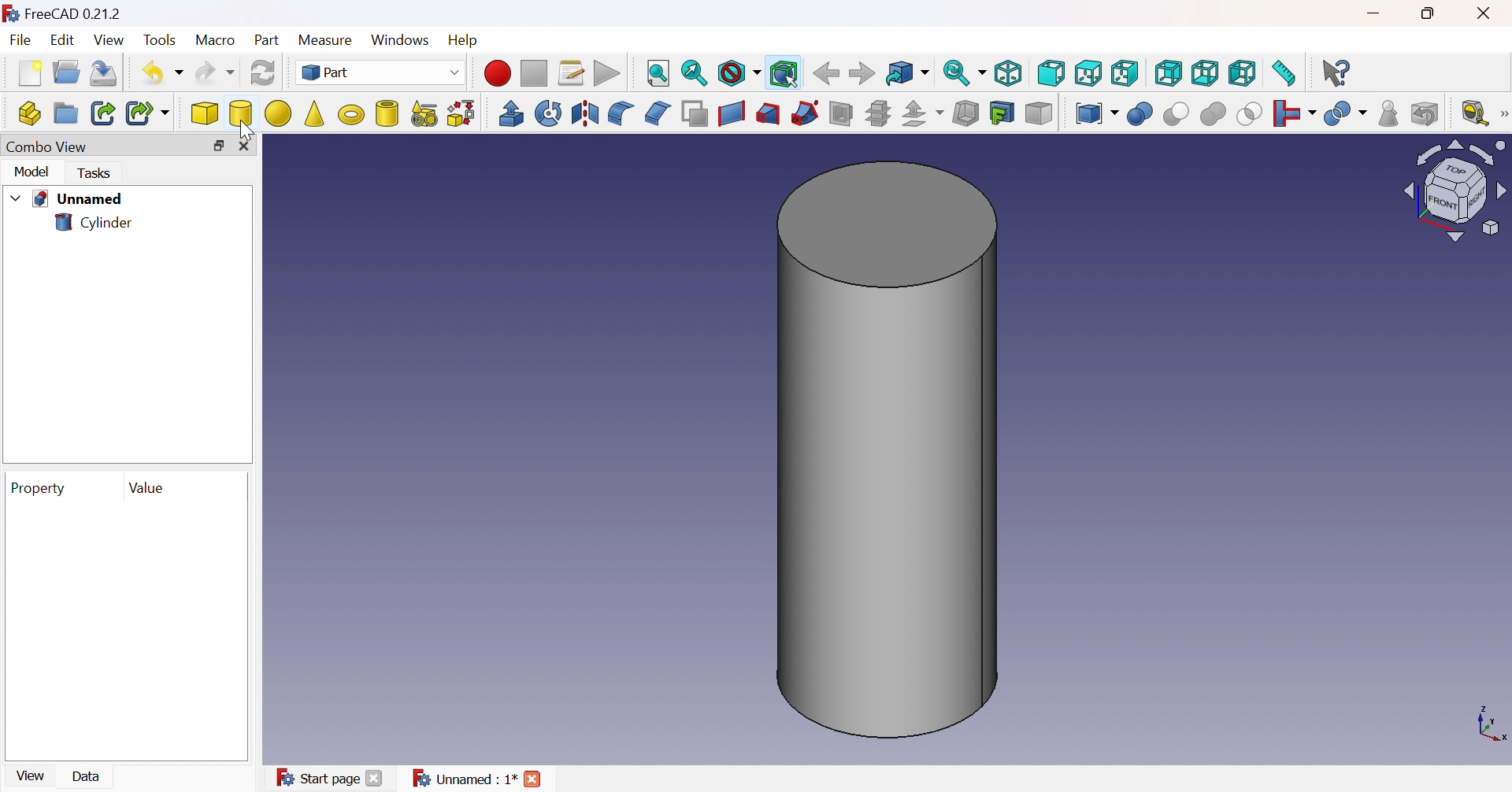 The height and width of the screenshot is (792, 1512). What do you see at coordinates (1295, 114) in the screenshot?
I see `Join objects` at bounding box center [1295, 114].